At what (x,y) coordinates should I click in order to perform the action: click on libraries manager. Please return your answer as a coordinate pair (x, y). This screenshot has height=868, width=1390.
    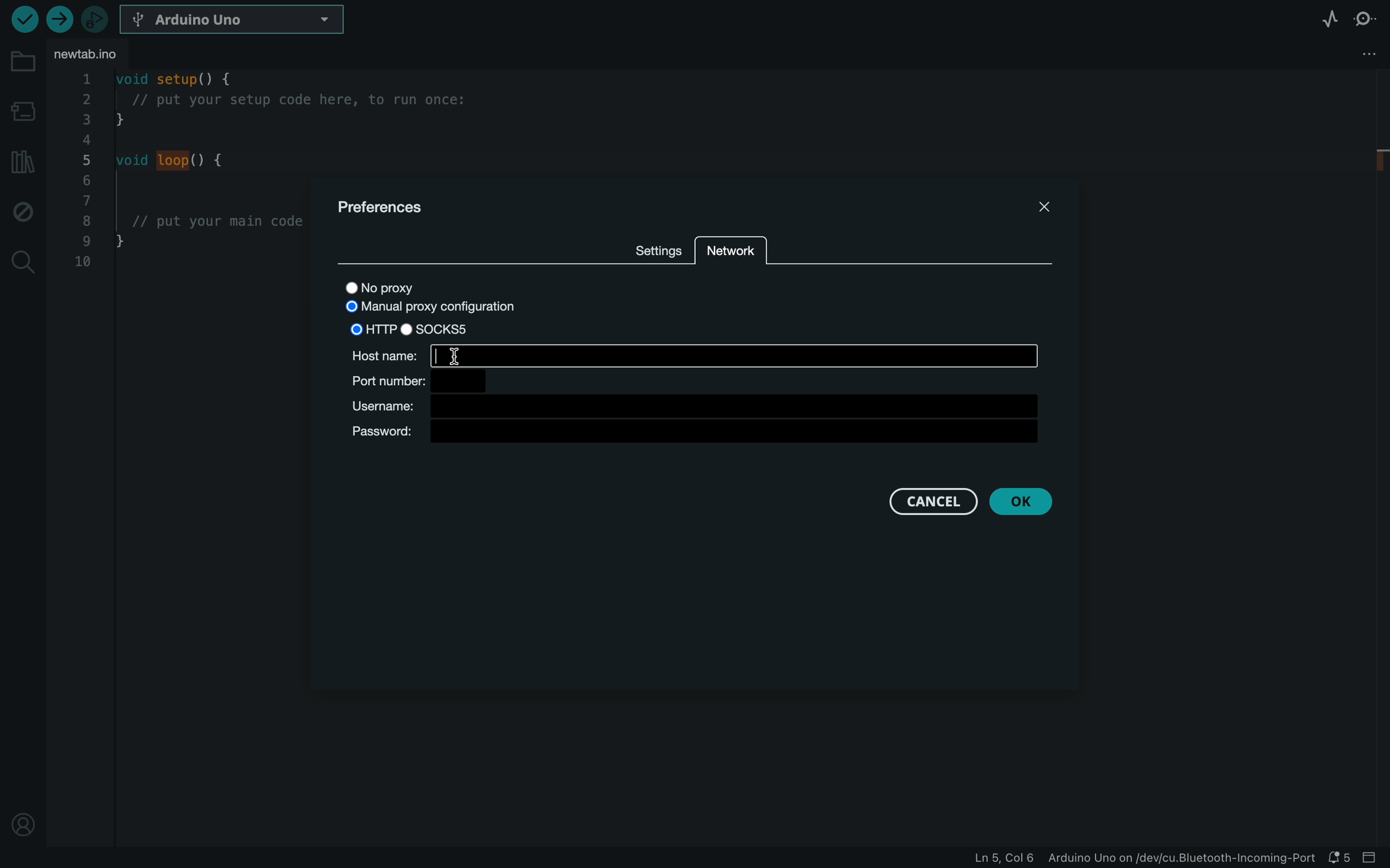
    Looking at the image, I should click on (20, 161).